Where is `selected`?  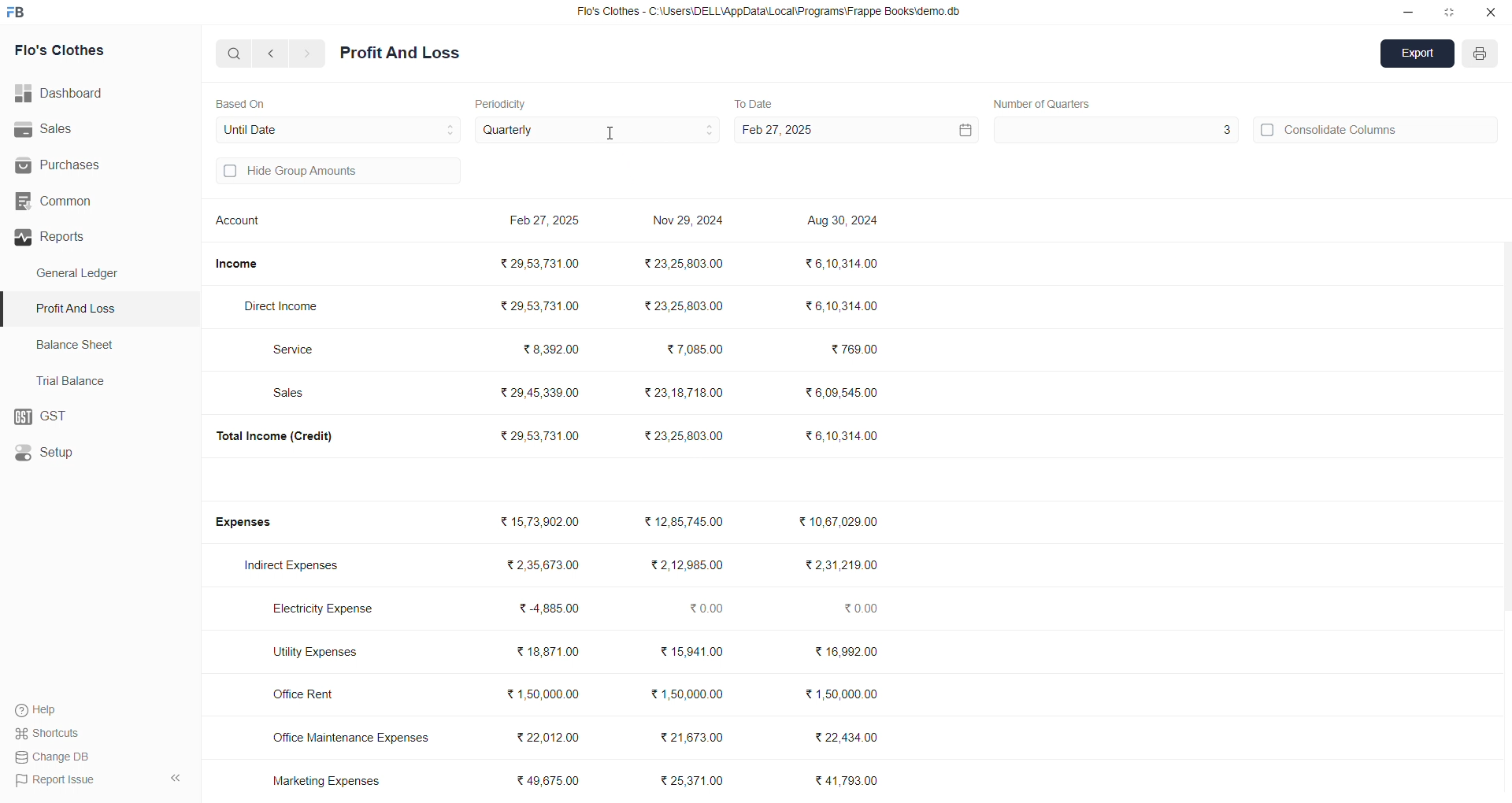 selected is located at coordinates (9, 309).